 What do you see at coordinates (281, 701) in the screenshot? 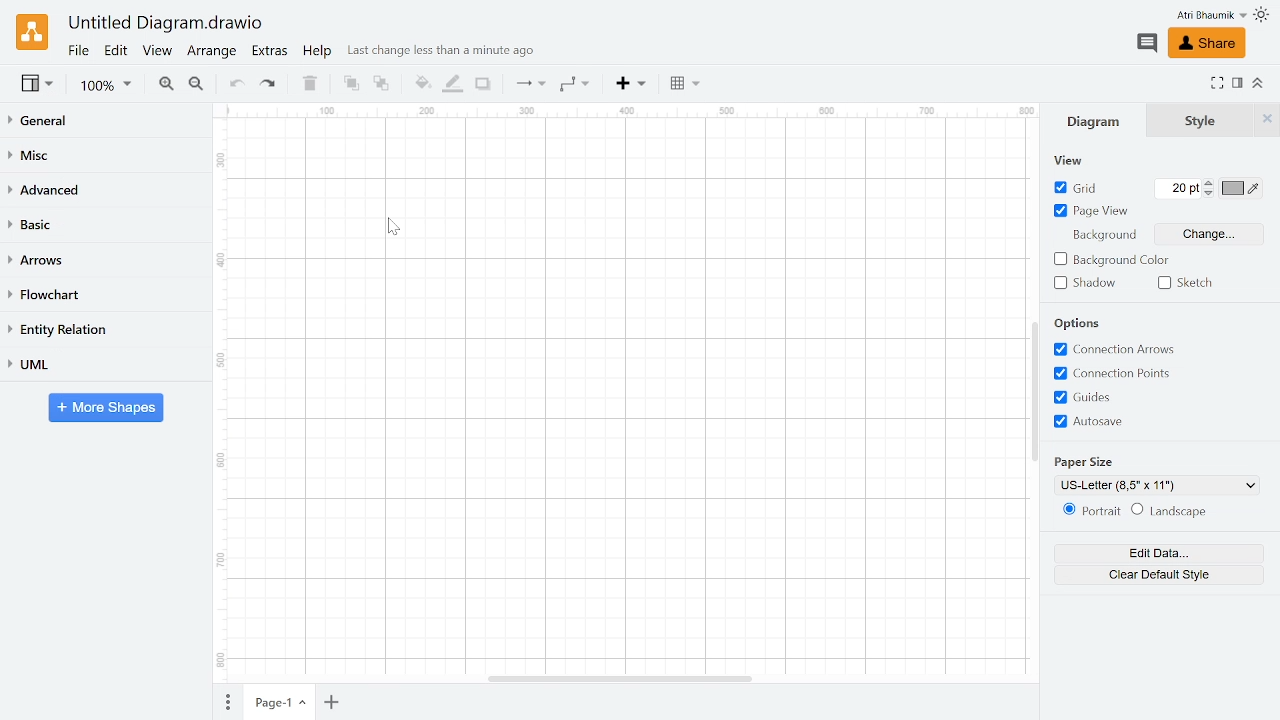
I see `Current page` at bounding box center [281, 701].